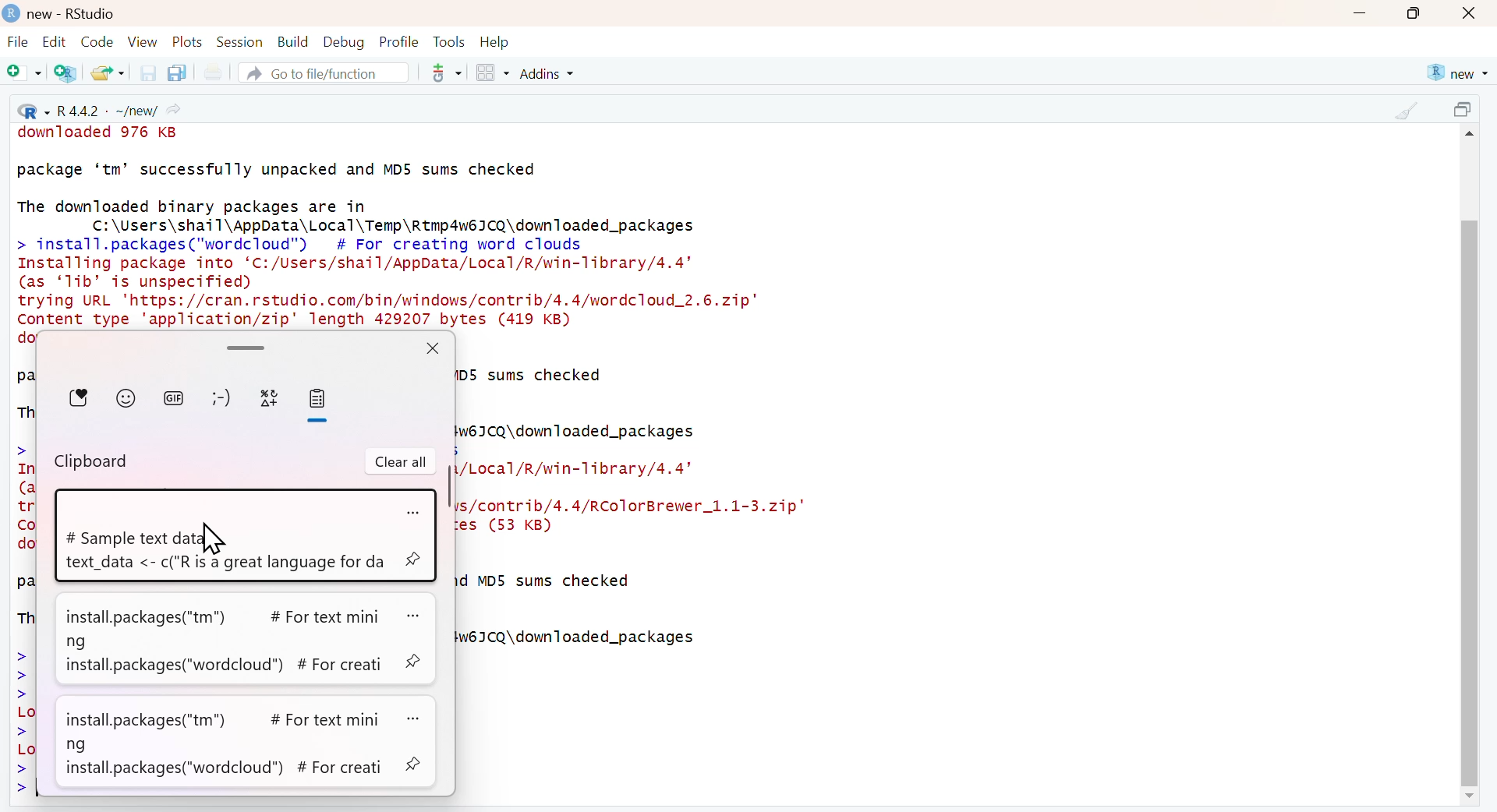 This screenshot has height=812, width=1497. Describe the element at coordinates (103, 133) in the screenshot. I see `downloaded 976 KB` at that location.